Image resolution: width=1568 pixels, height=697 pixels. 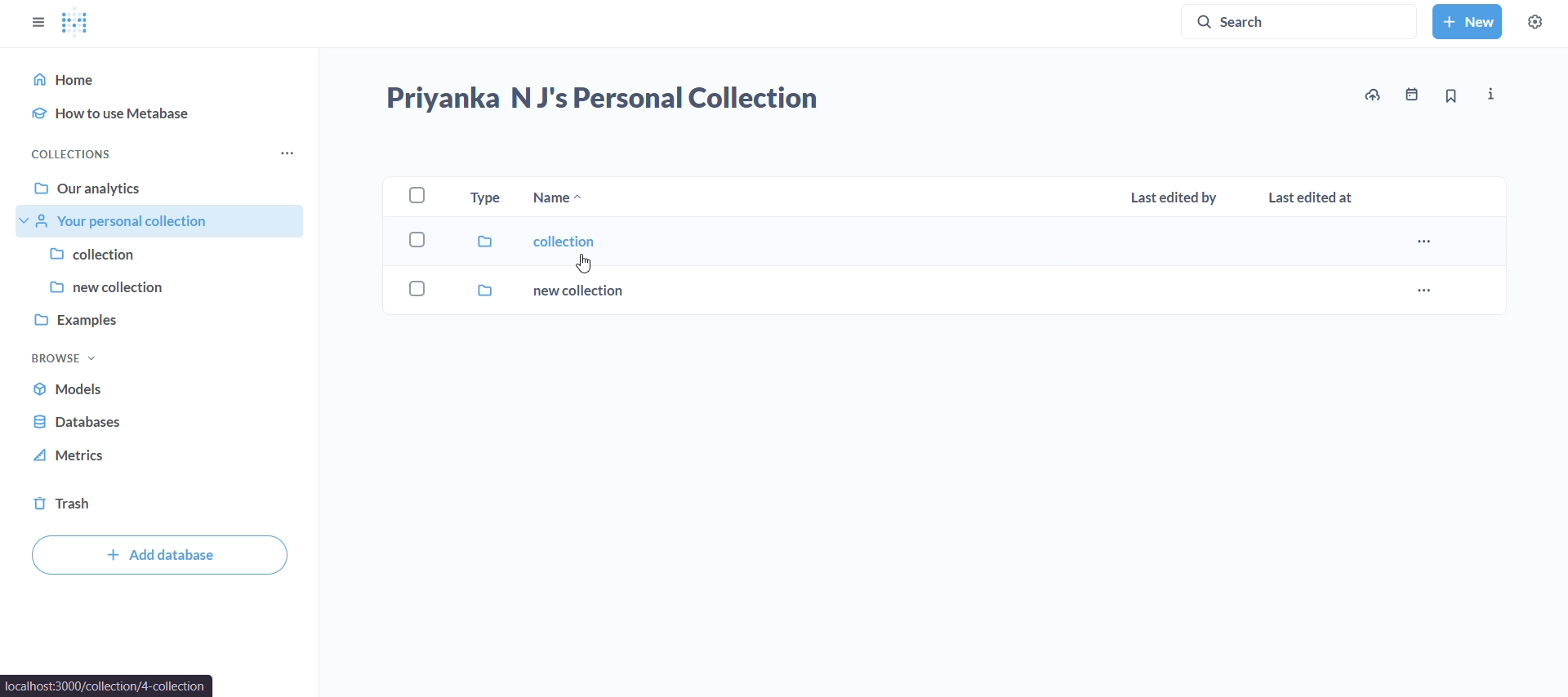 I want to click on more, so click(x=289, y=153).